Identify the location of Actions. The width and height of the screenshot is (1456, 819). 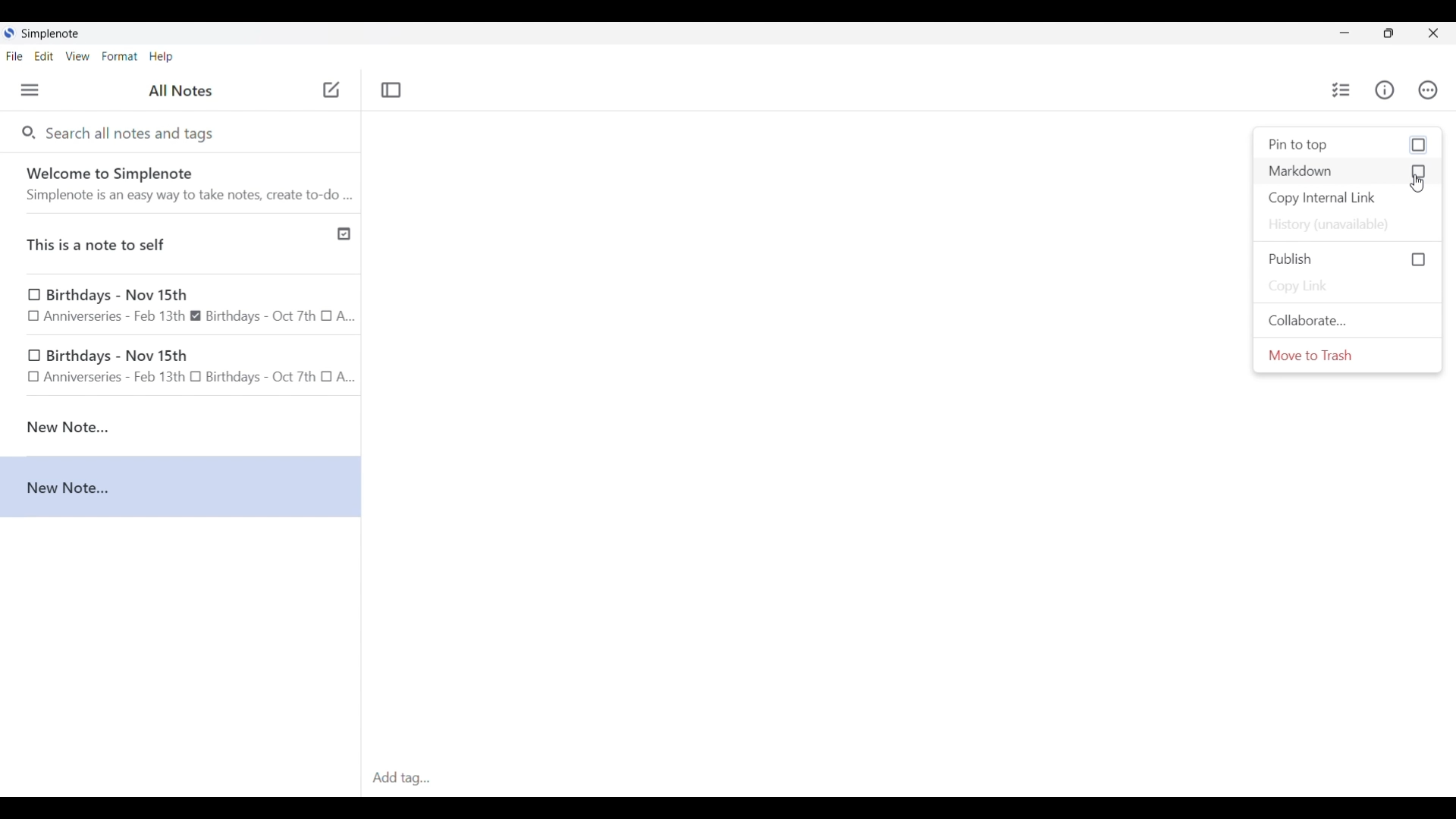
(1427, 90).